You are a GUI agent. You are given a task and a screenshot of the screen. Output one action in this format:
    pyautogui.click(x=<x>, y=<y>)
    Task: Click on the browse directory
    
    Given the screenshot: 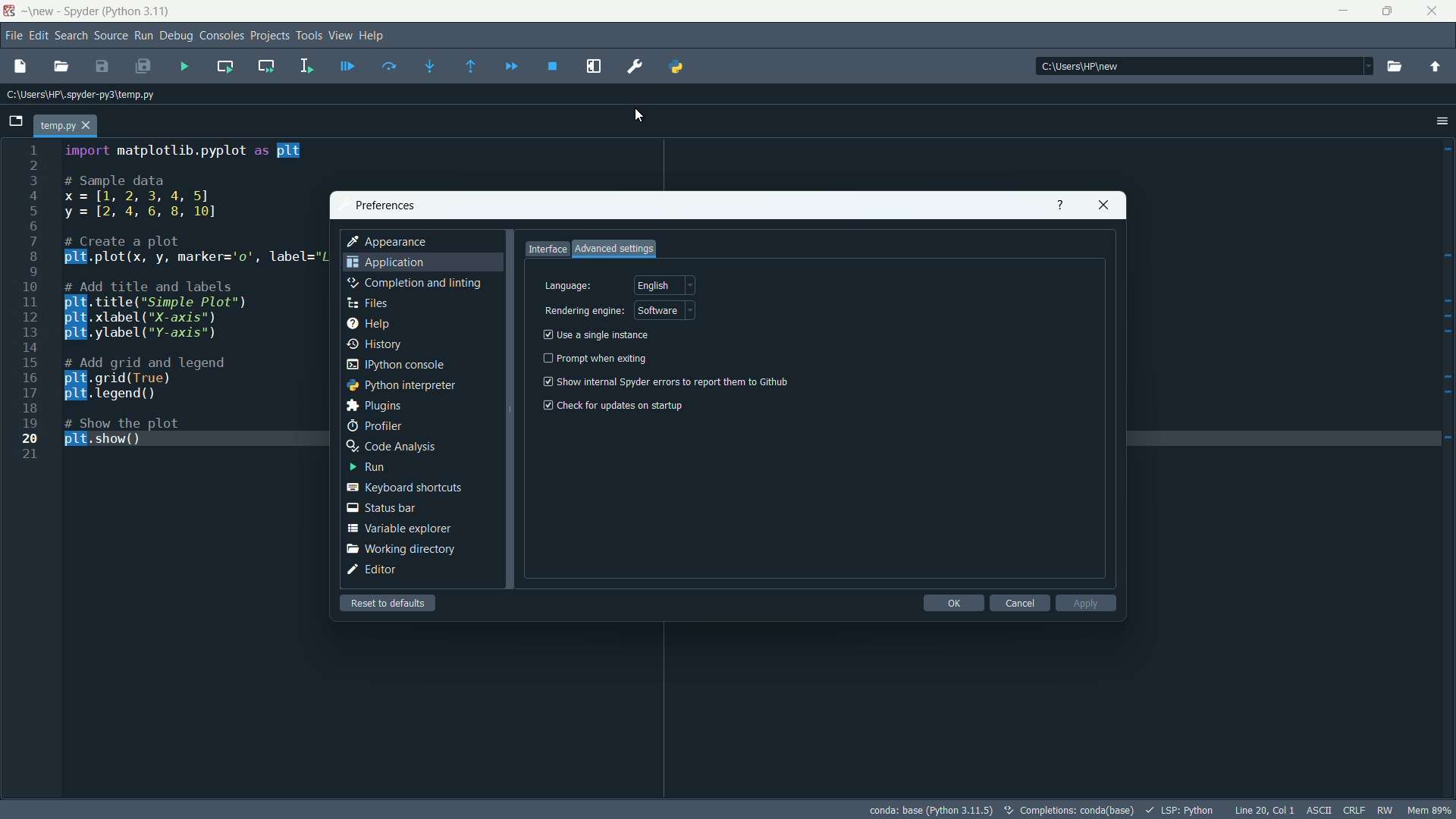 What is the action you would take?
    pyautogui.click(x=1394, y=66)
    